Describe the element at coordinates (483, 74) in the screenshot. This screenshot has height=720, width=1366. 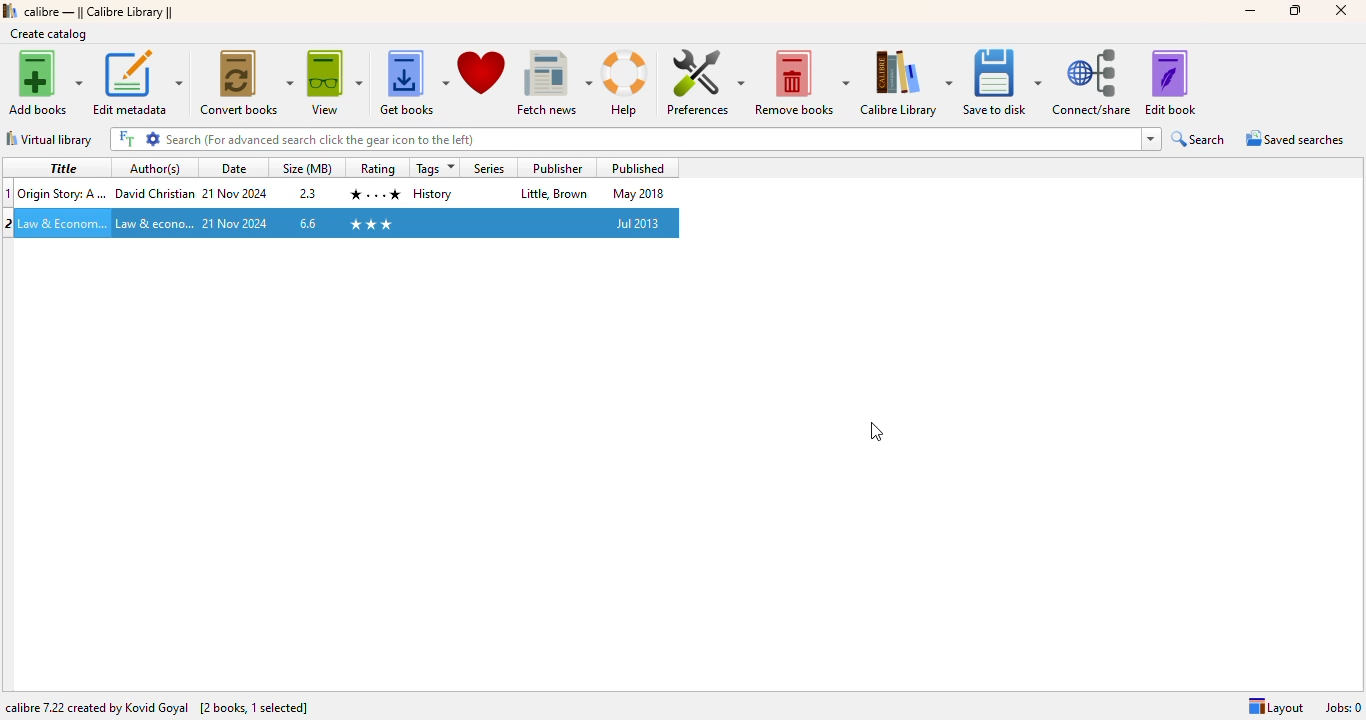
I see `donate to support calibre` at that location.